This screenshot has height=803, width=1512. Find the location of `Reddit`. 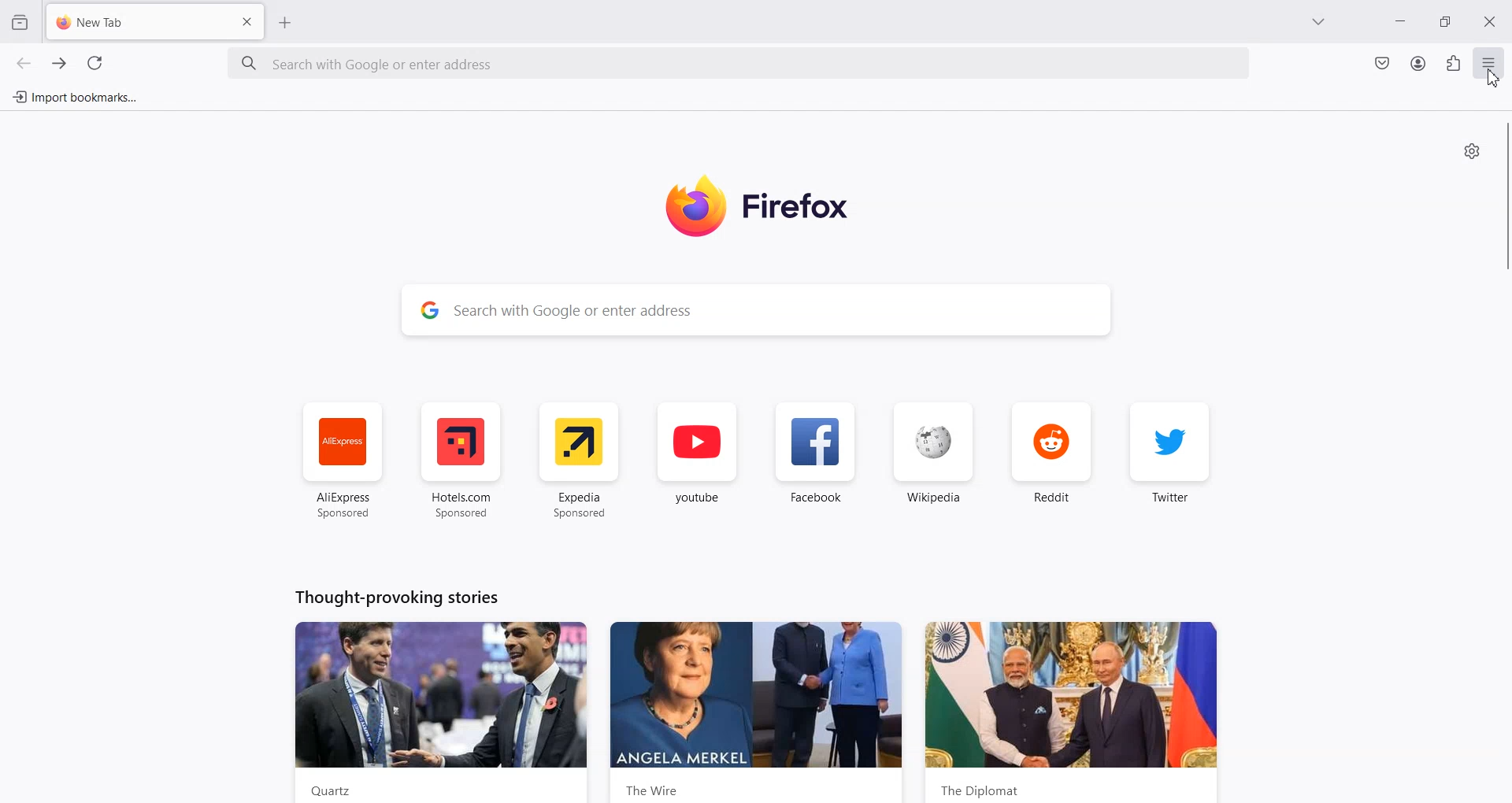

Reddit is located at coordinates (1052, 457).